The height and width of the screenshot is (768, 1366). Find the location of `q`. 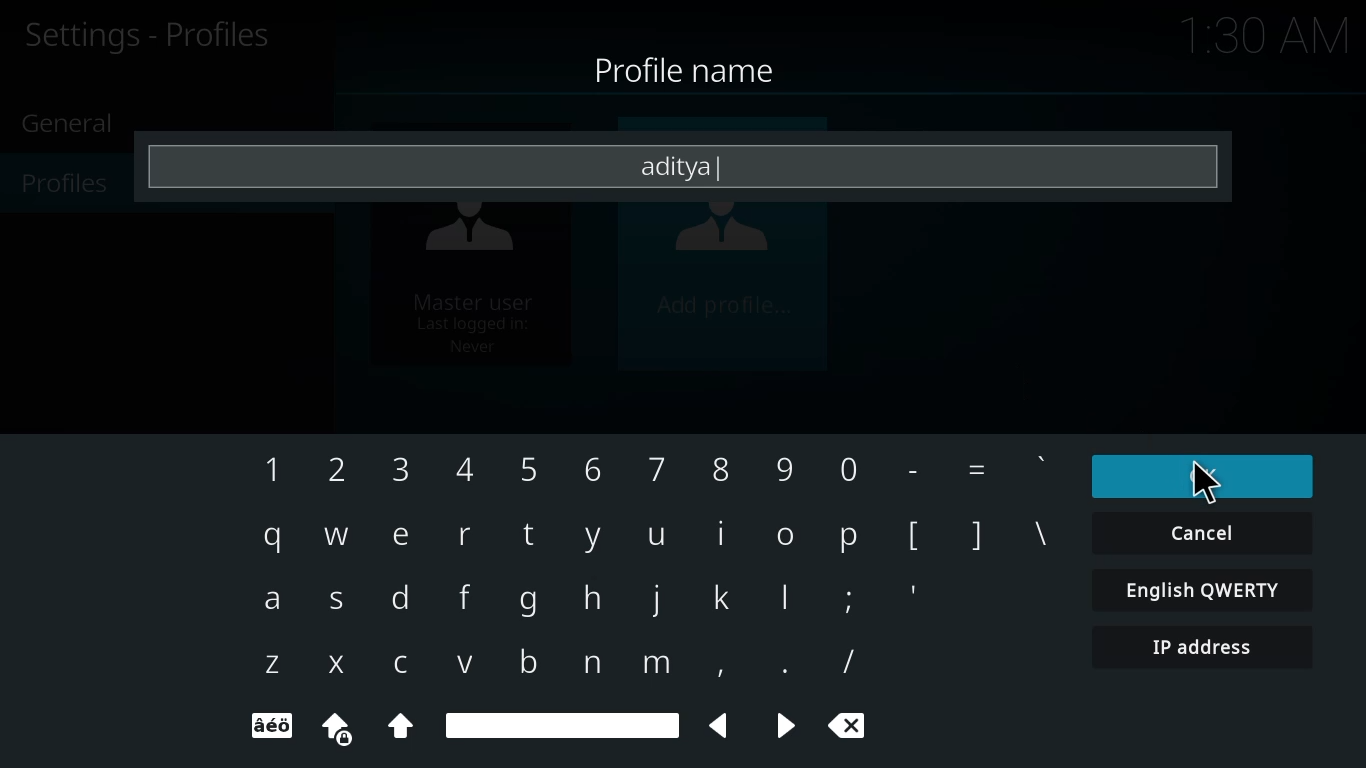

q is located at coordinates (264, 539).